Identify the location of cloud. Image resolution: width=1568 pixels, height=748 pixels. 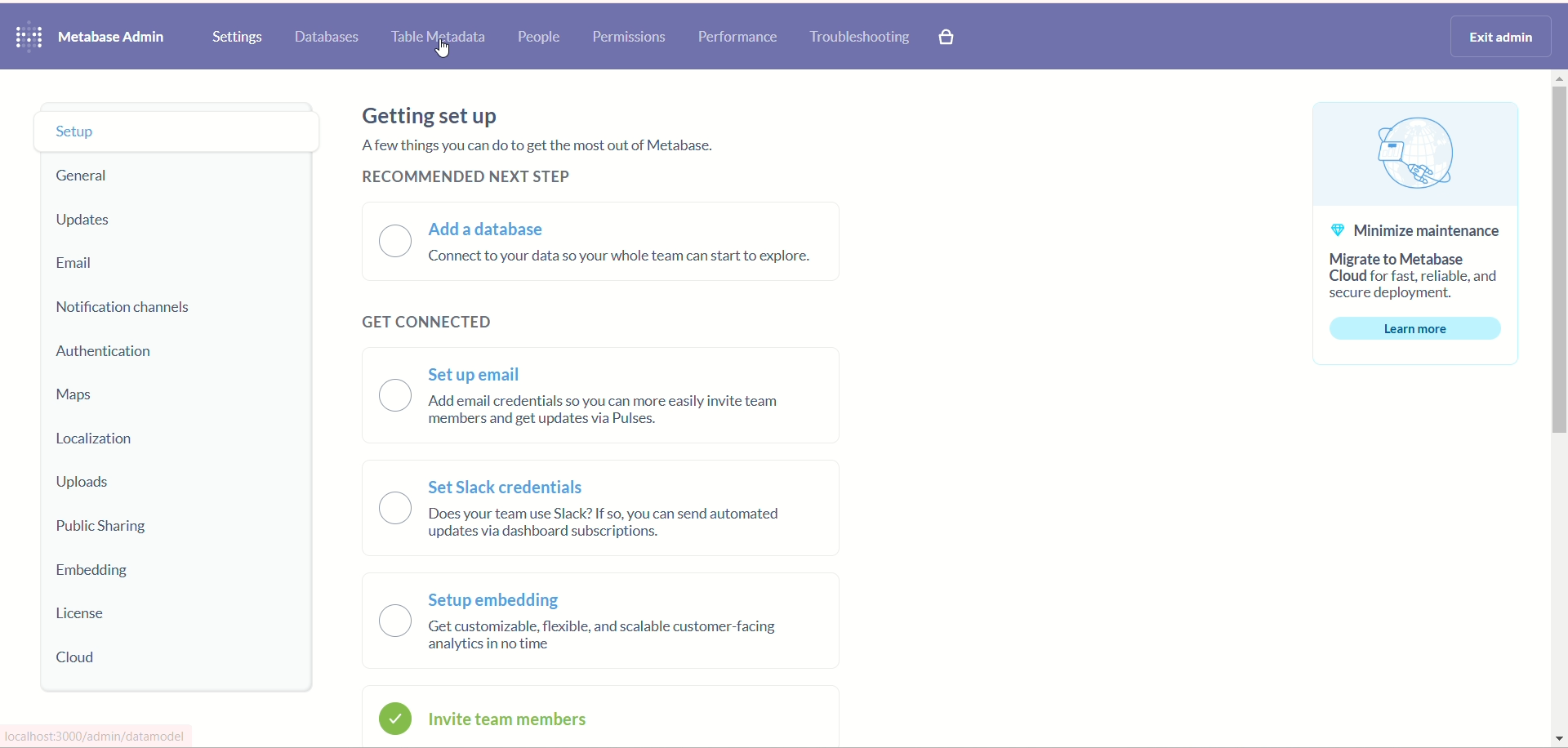
(81, 657).